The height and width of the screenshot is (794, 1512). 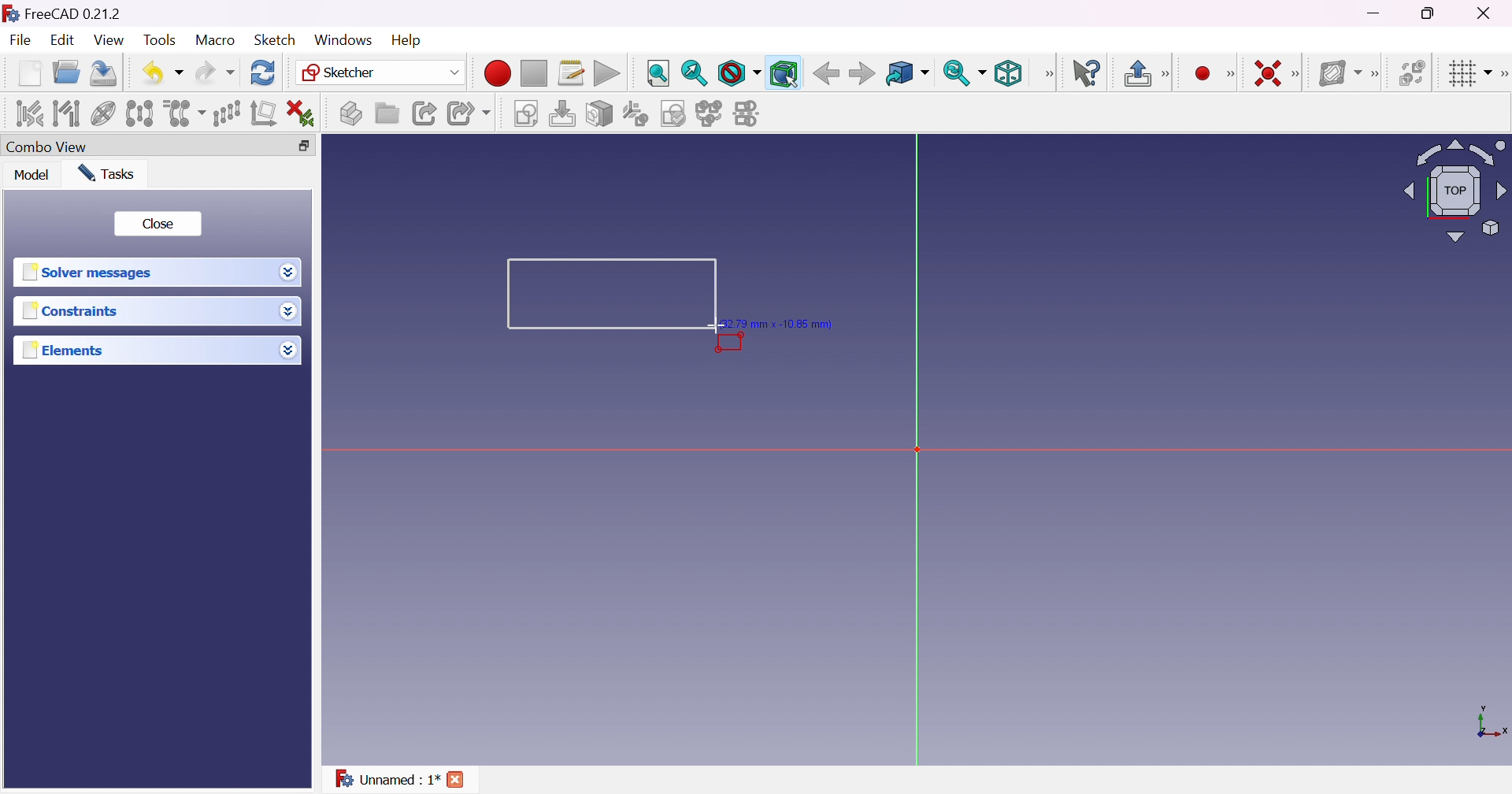 What do you see at coordinates (1299, 75) in the screenshot?
I see `[Sketcher constraints]` at bounding box center [1299, 75].